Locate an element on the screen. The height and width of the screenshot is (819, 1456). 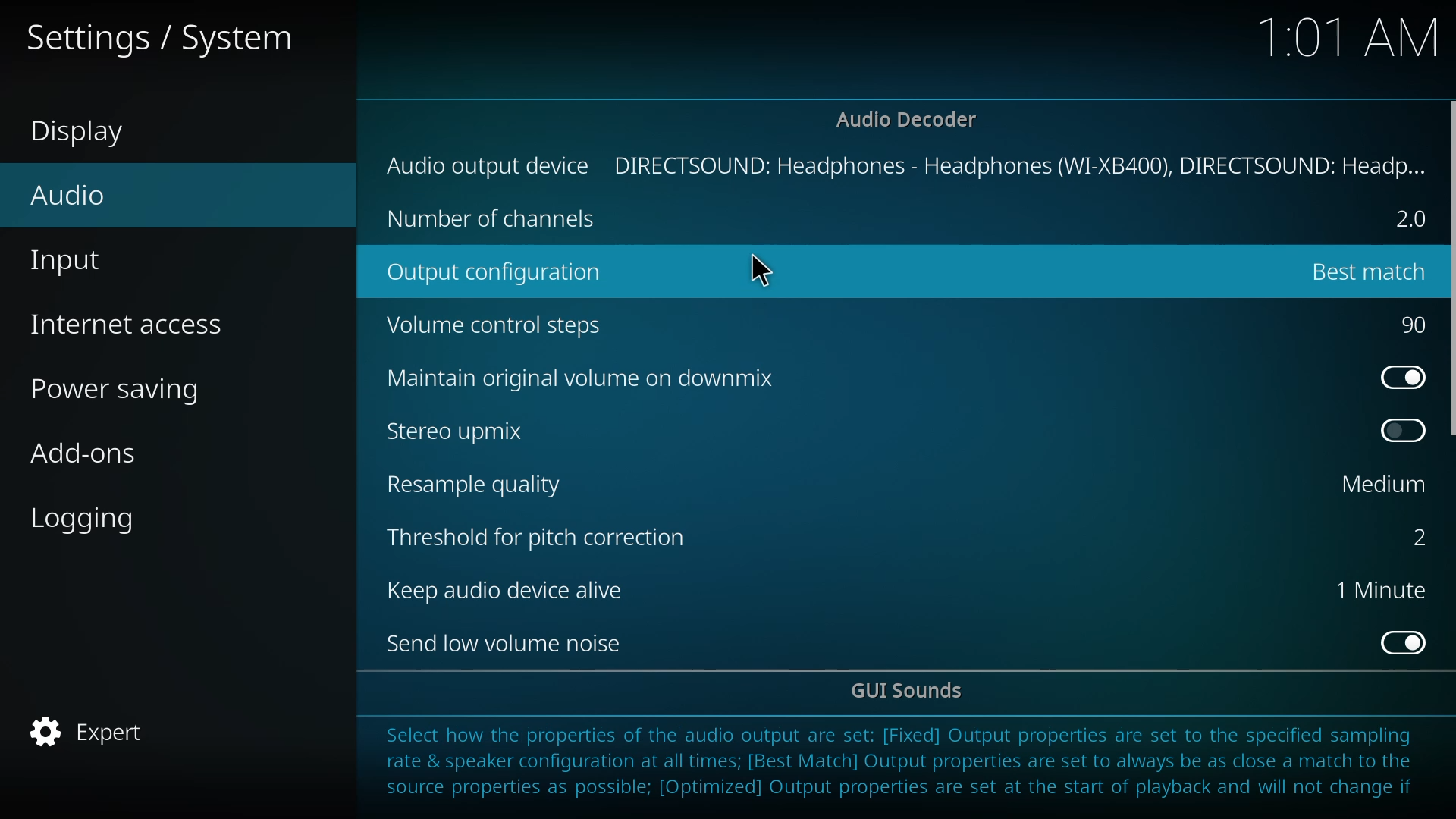
send low volume noise is located at coordinates (506, 641).